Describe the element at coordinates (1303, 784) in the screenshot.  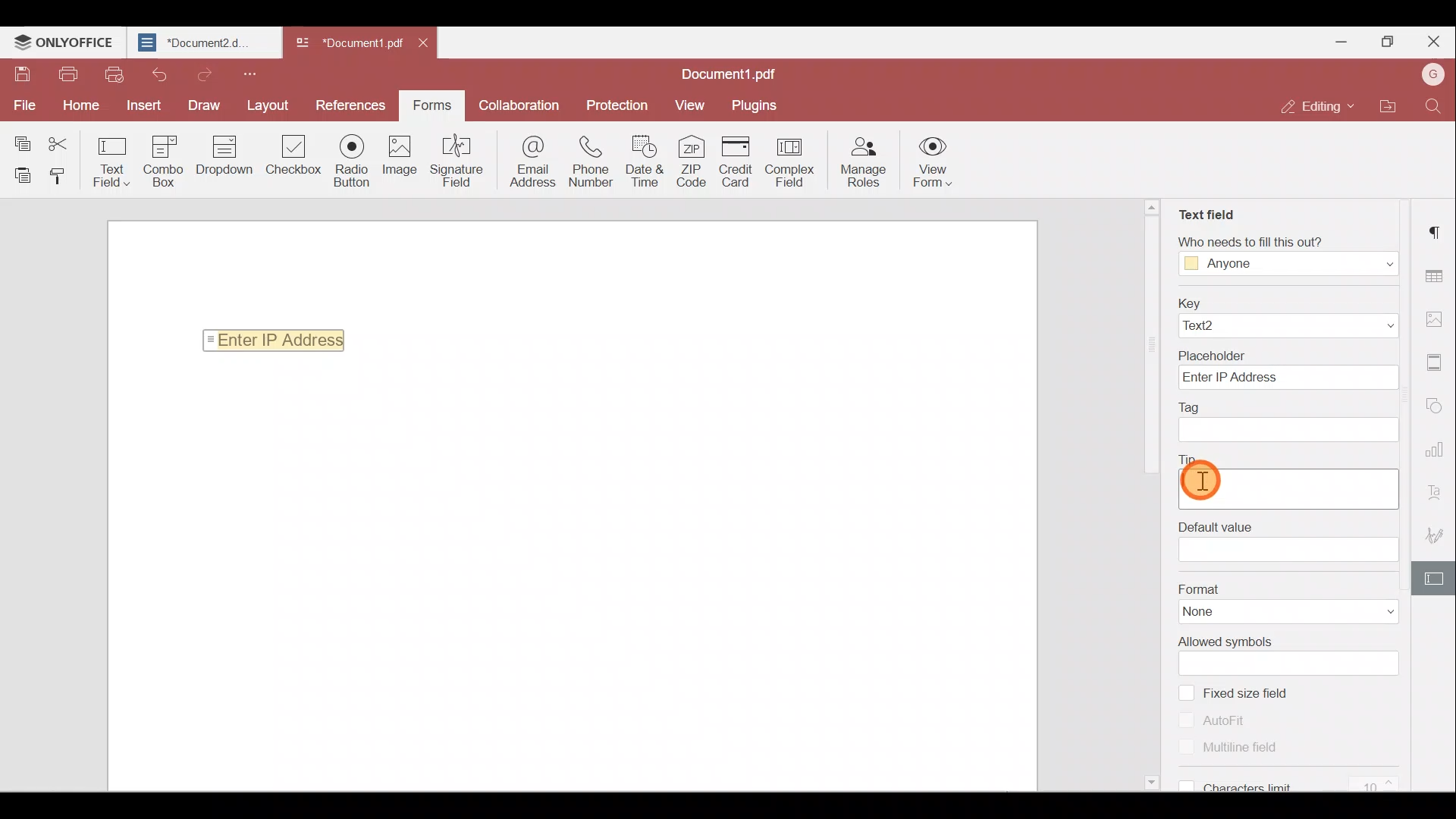
I see `Characters limit` at that location.